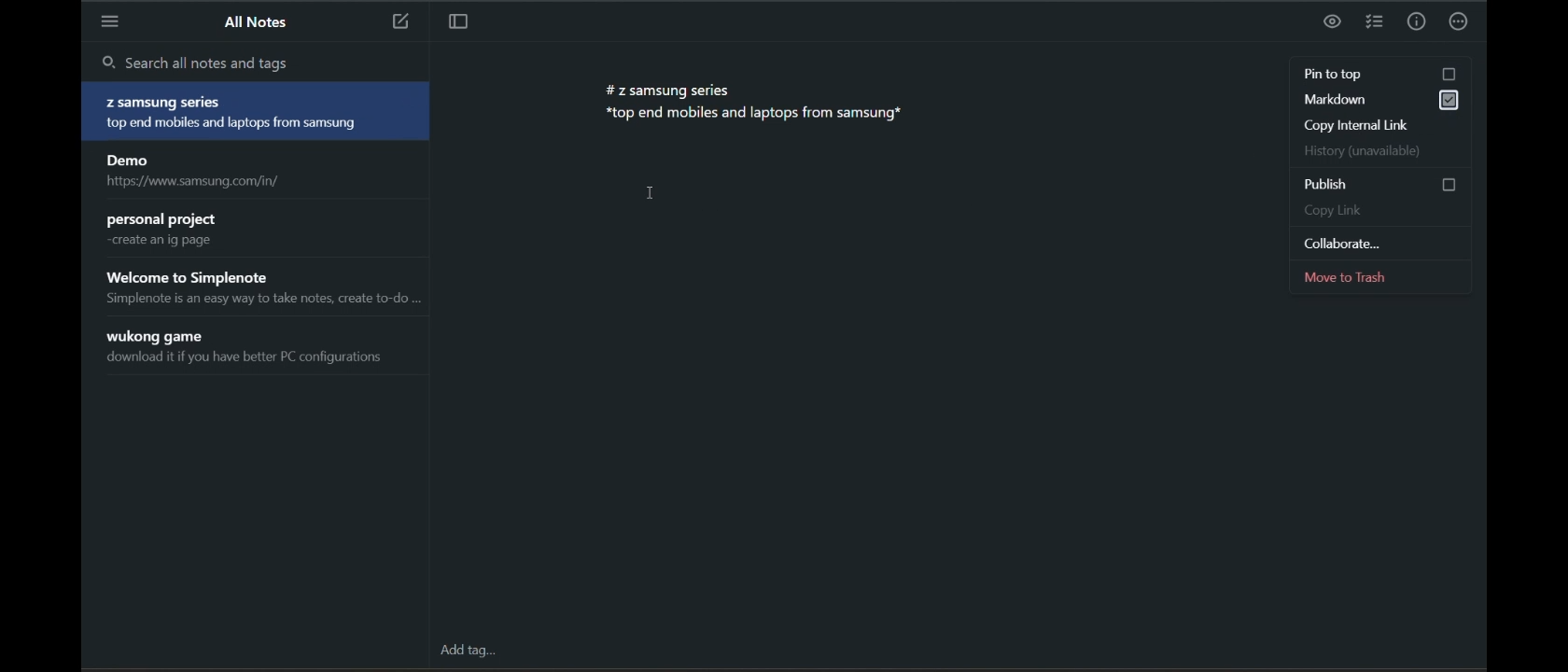 The height and width of the screenshot is (672, 1568). Describe the element at coordinates (398, 23) in the screenshot. I see `new note` at that location.